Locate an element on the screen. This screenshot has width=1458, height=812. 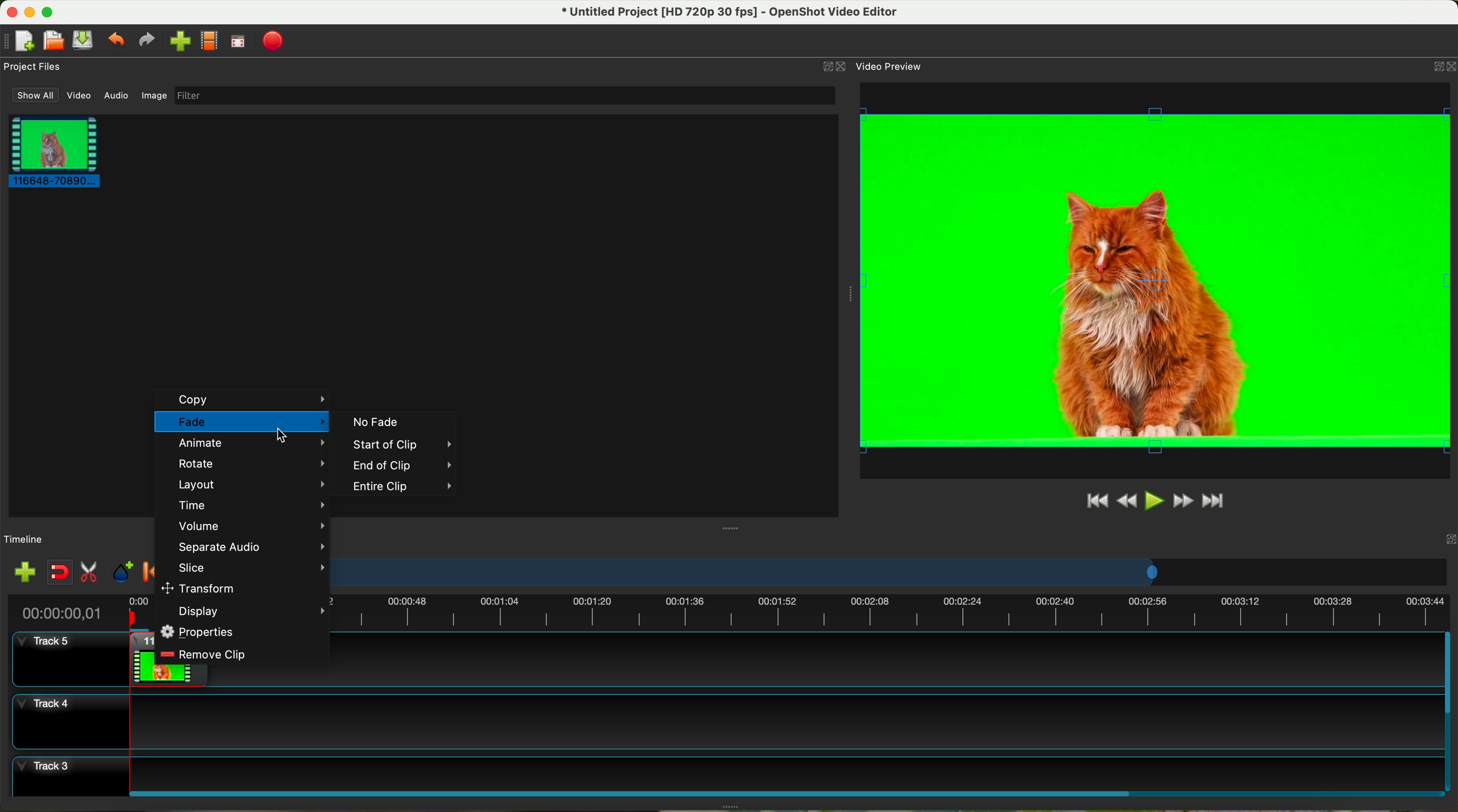
save project is located at coordinates (84, 40).